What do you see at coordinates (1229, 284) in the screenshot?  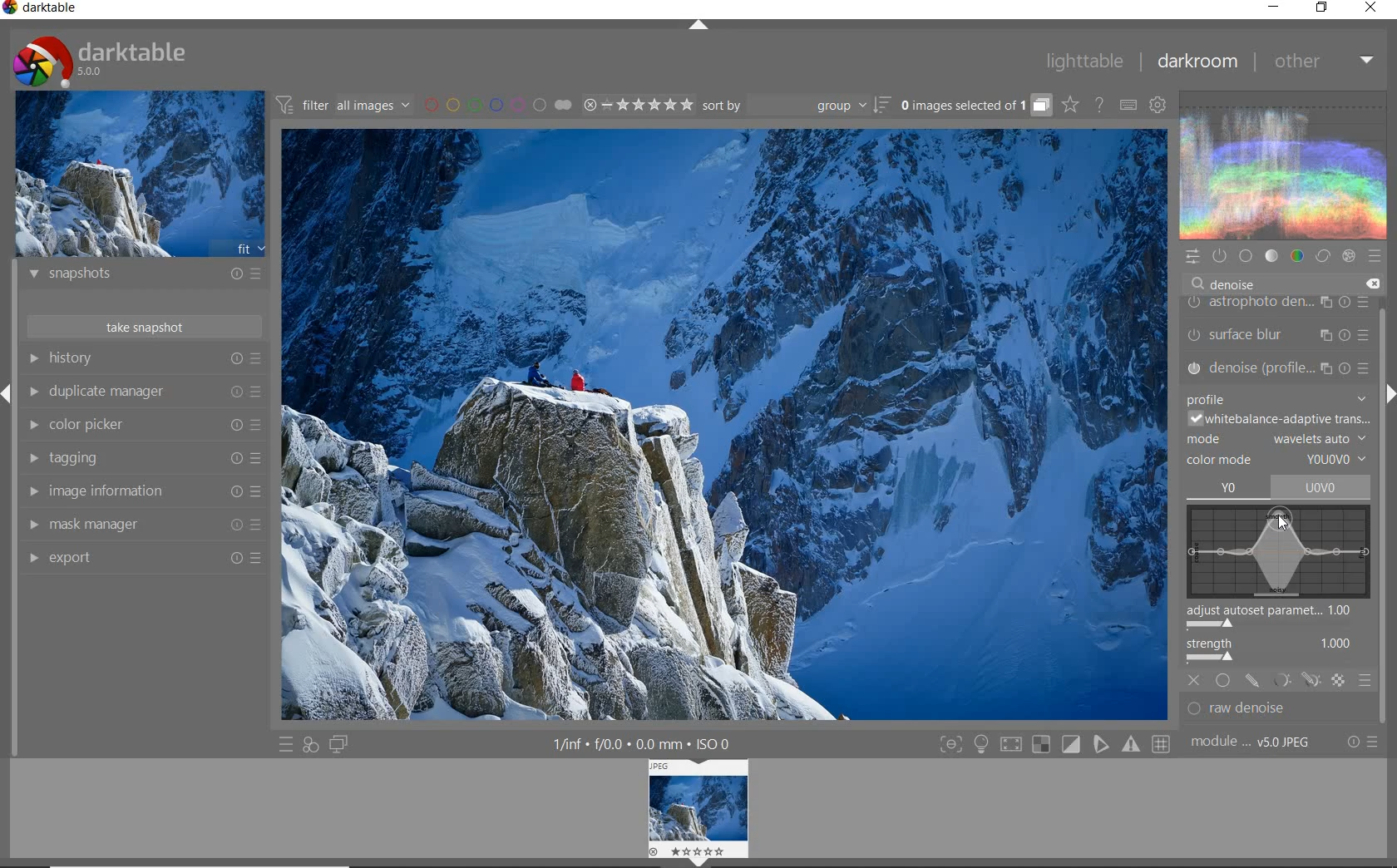 I see `DENOISE` at bounding box center [1229, 284].